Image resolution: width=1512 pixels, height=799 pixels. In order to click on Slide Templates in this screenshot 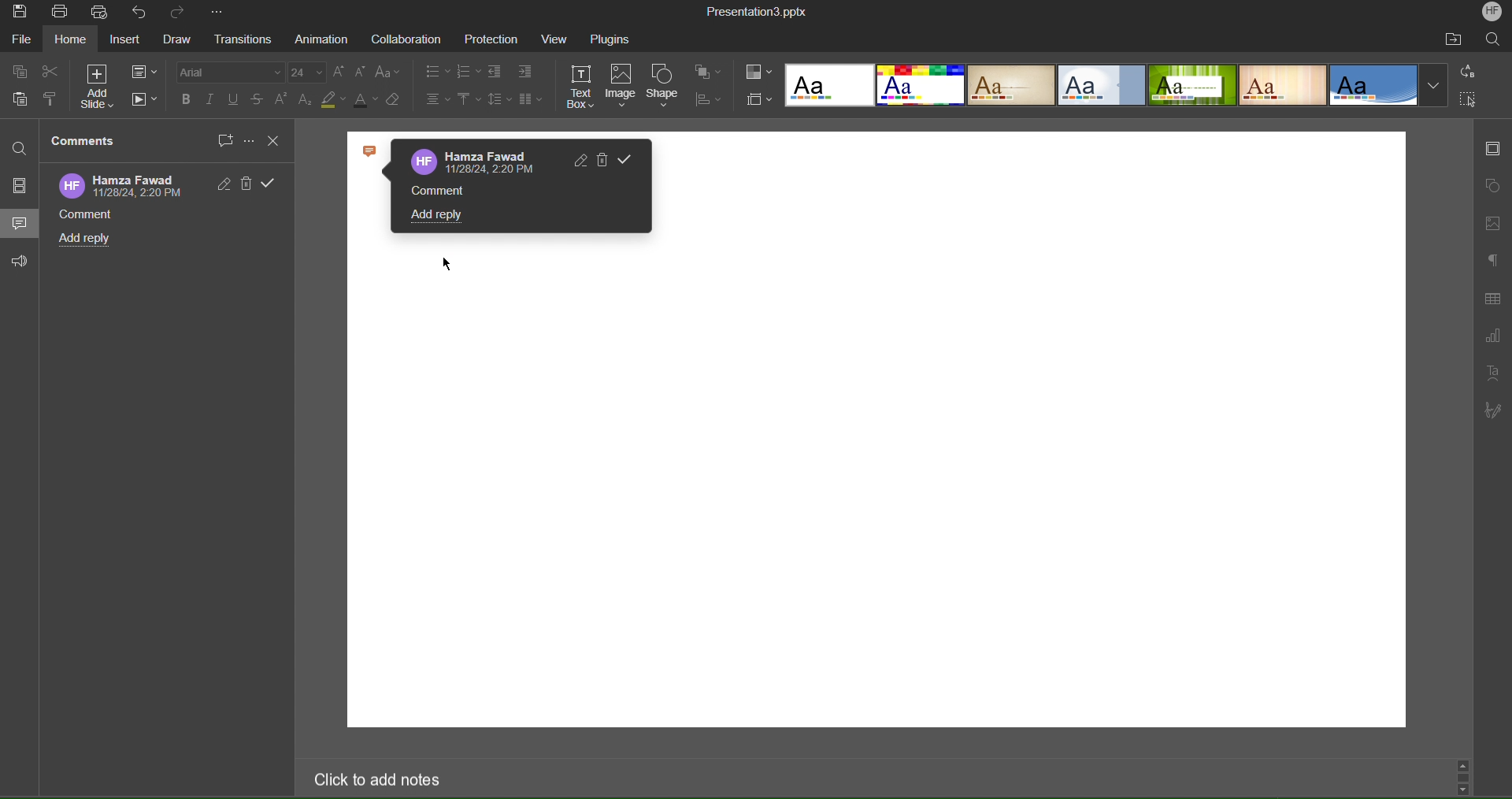, I will do `click(1116, 87)`.